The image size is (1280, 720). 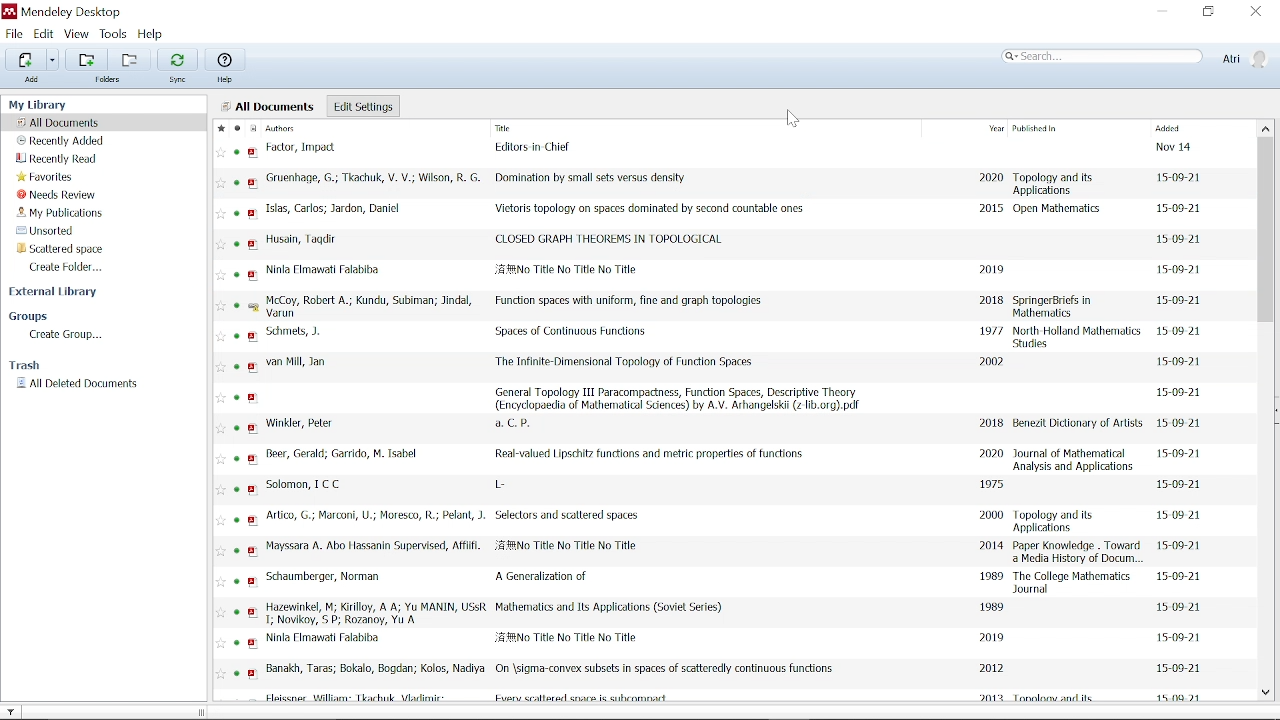 What do you see at coordinates (78, 34) in the screenshot?
I see `View` at bounding box center [78, 34].